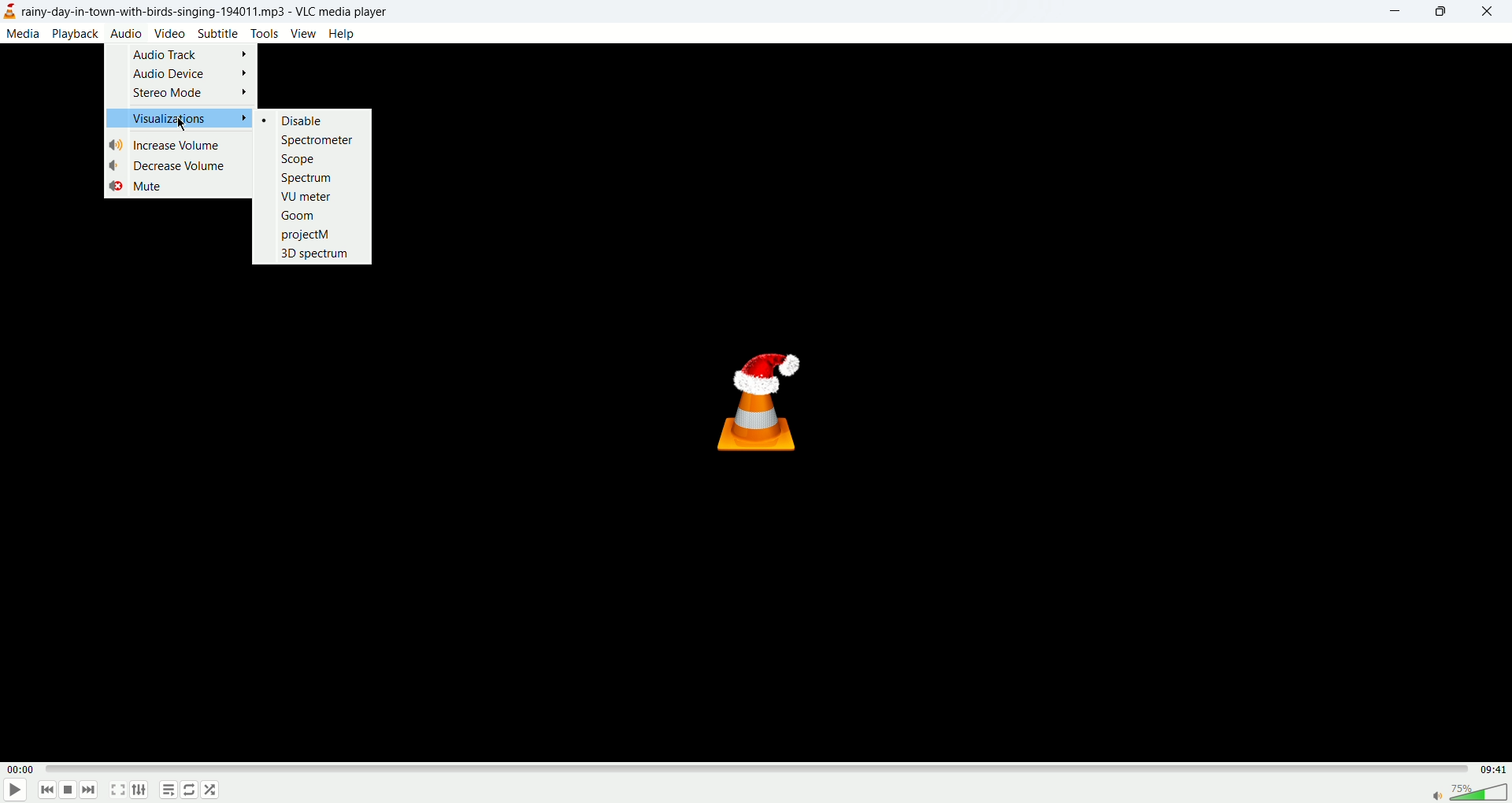 This screenshot has height=803, width=1512. Describe the element at coordinates (1490, 773) in the screenshot. I see `total time` at that location.